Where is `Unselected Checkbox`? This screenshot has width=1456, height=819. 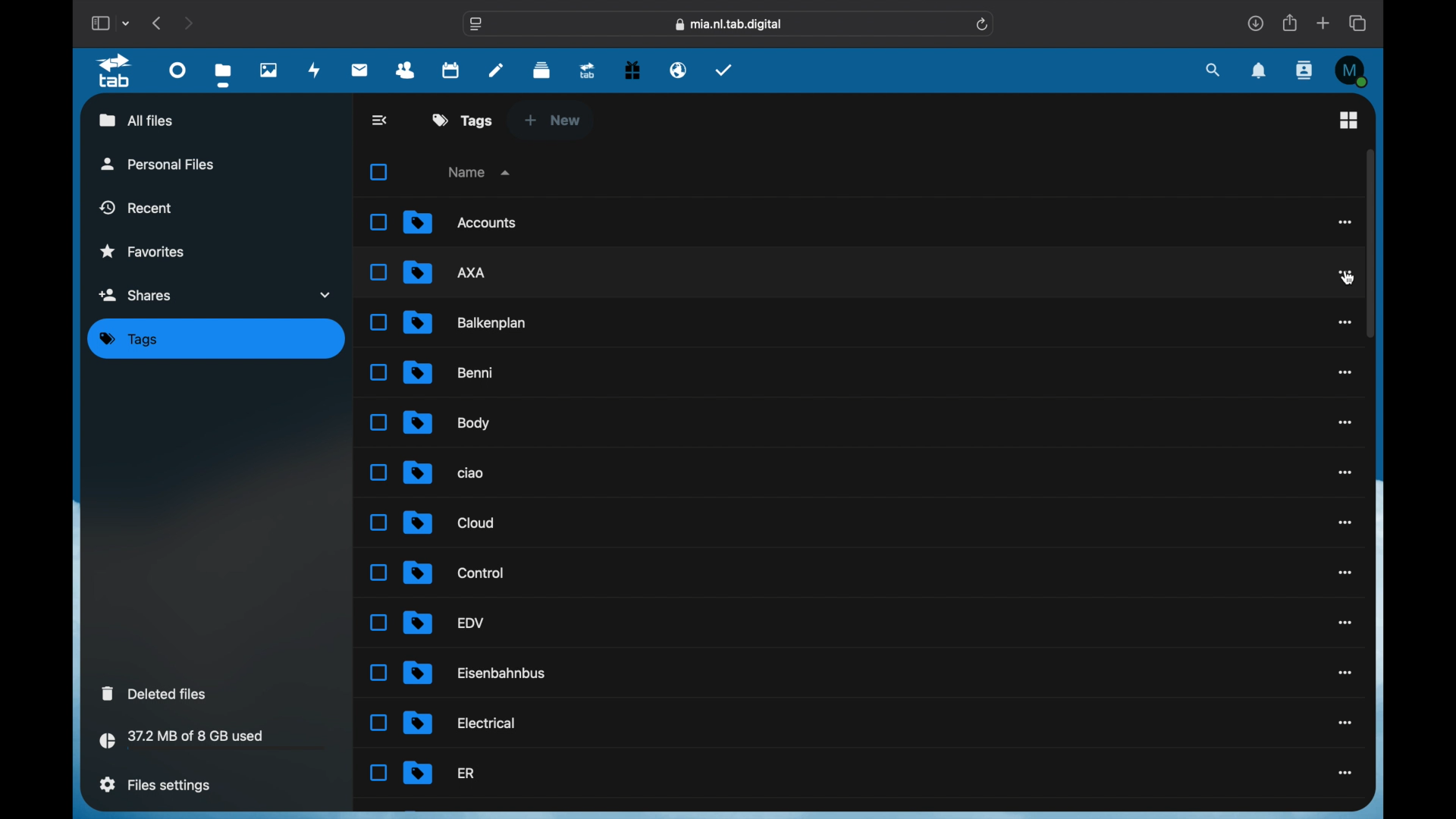
Unselected Checkbox is located at coordinates (377, 422).